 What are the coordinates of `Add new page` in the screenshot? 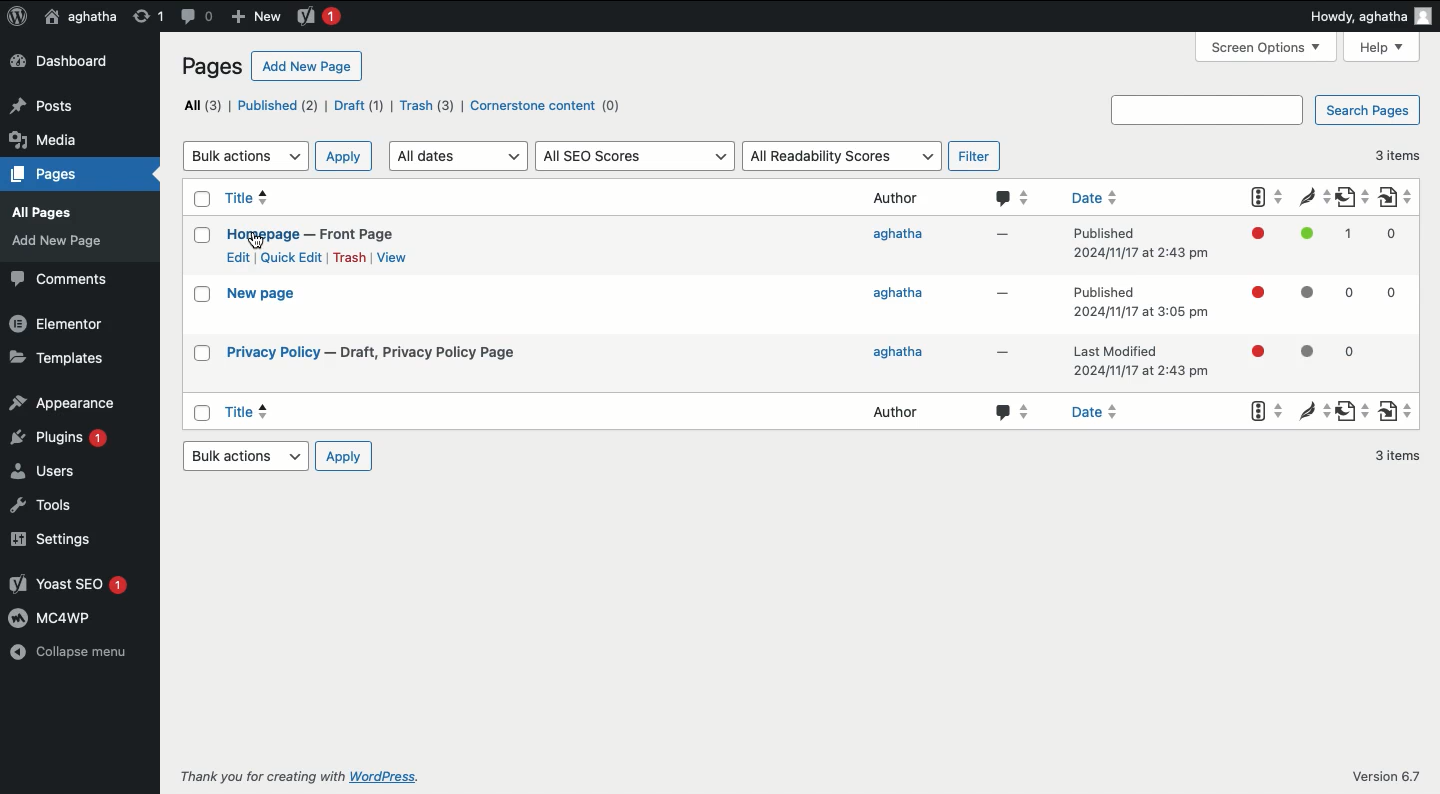 It's located at (307, 67).